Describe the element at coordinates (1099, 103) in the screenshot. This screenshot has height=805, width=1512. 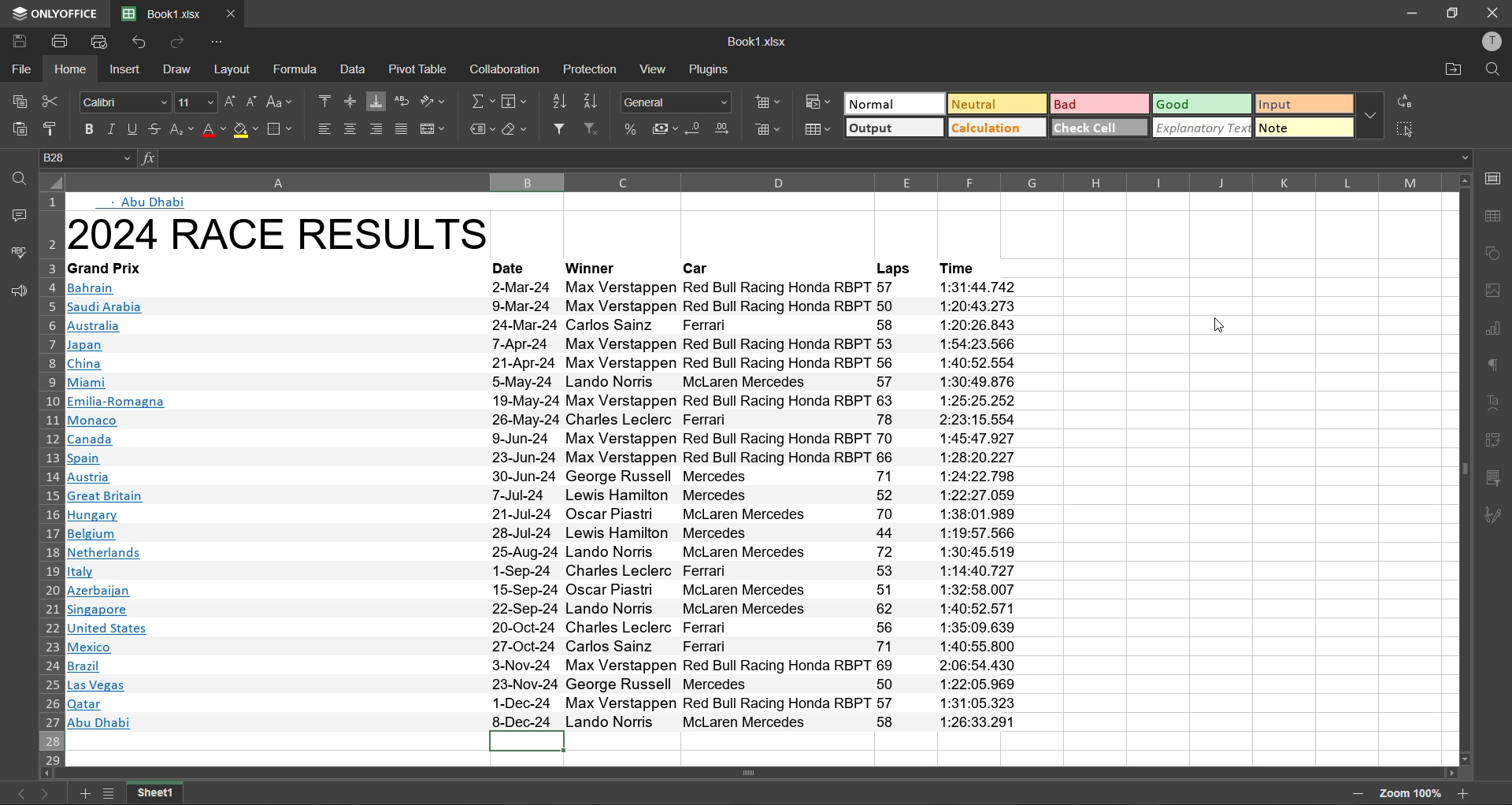
I see `bad` at that location.